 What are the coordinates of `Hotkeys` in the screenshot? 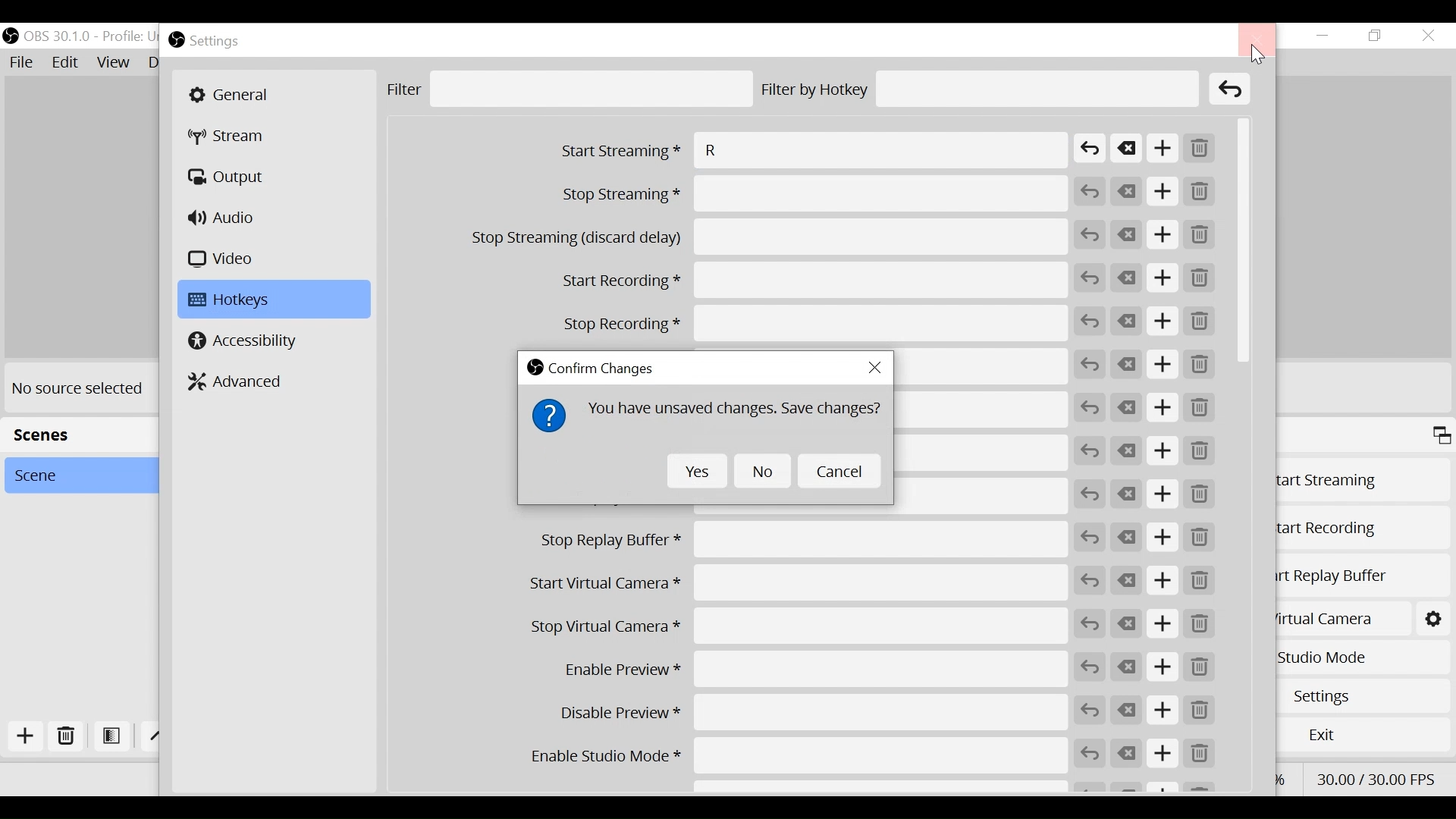 It's located at (275, 299).